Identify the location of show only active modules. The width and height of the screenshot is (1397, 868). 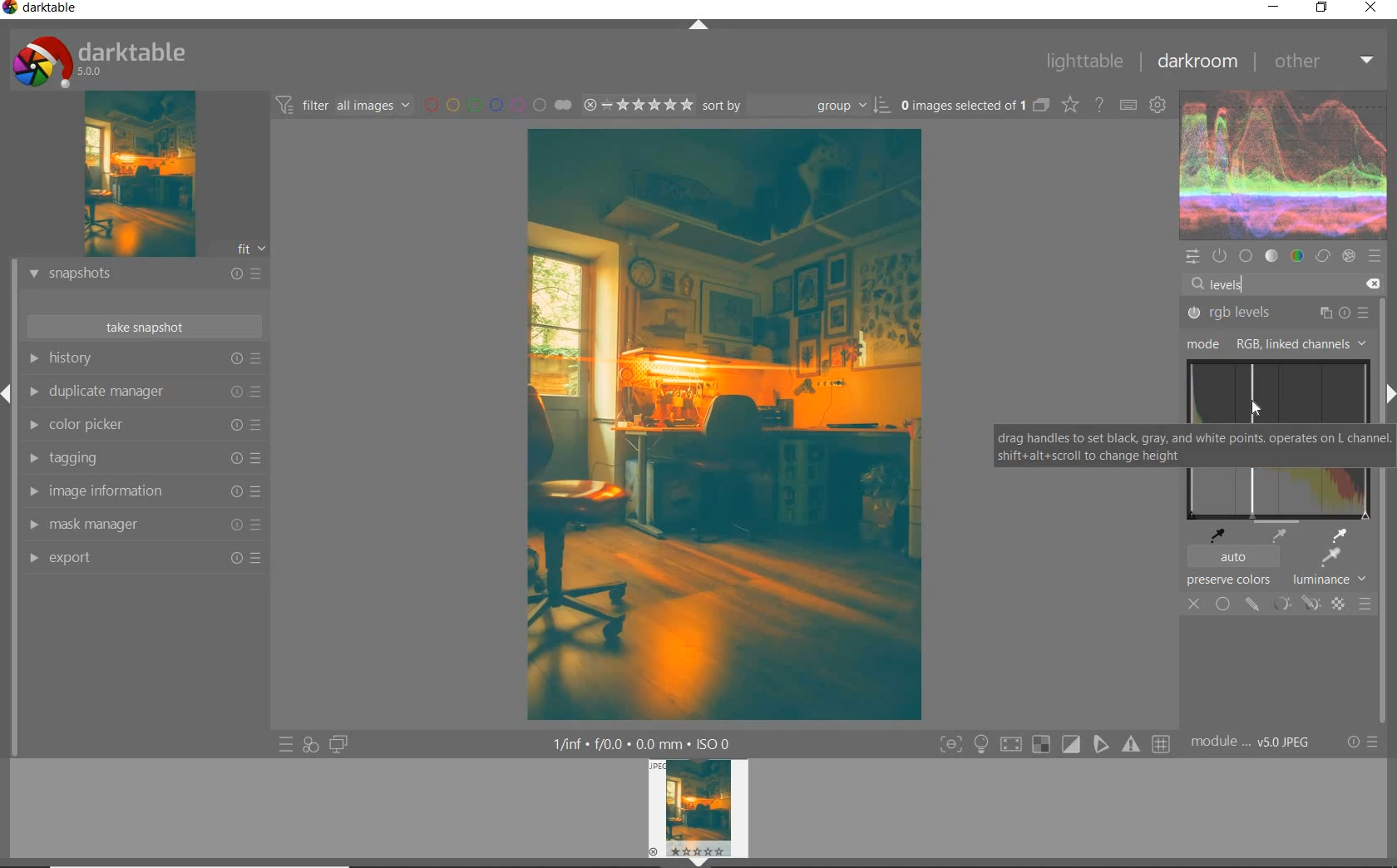
(1219, 255).